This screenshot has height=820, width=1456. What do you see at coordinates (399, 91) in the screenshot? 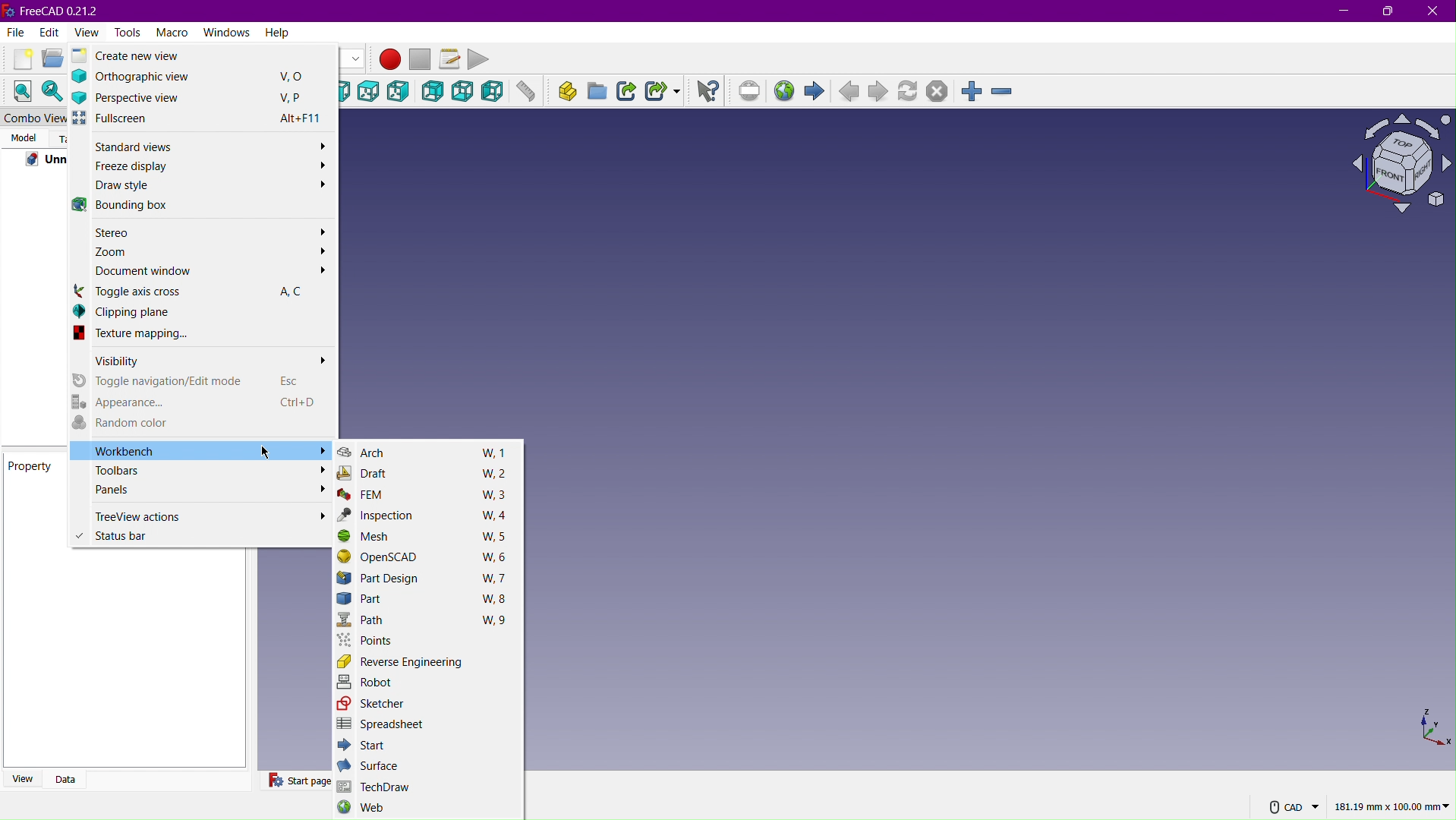
I see `Right` at bounding box center [399, 91].